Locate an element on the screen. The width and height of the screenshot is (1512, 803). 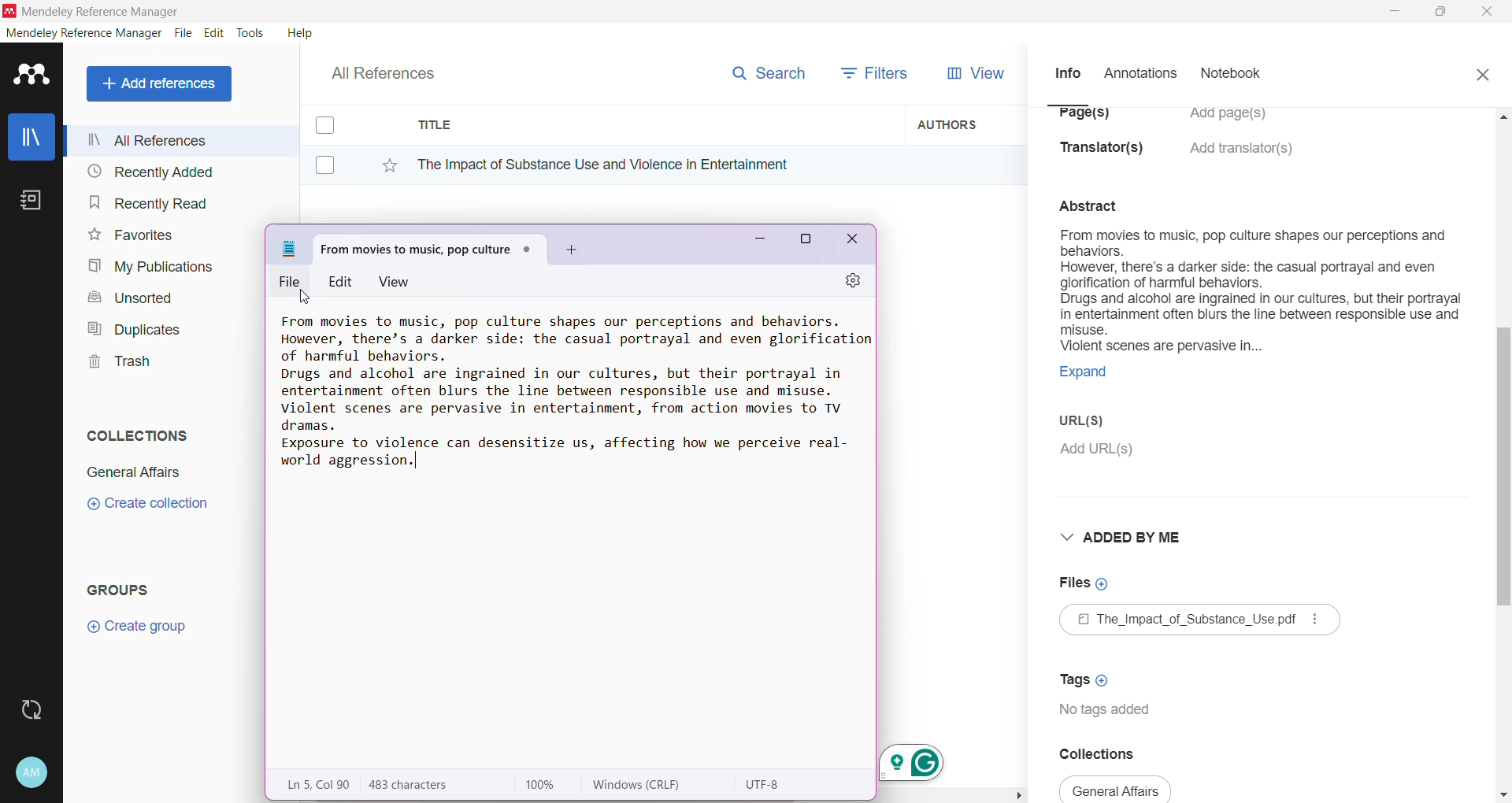
Reference Title is located at coordinates (653, 164).